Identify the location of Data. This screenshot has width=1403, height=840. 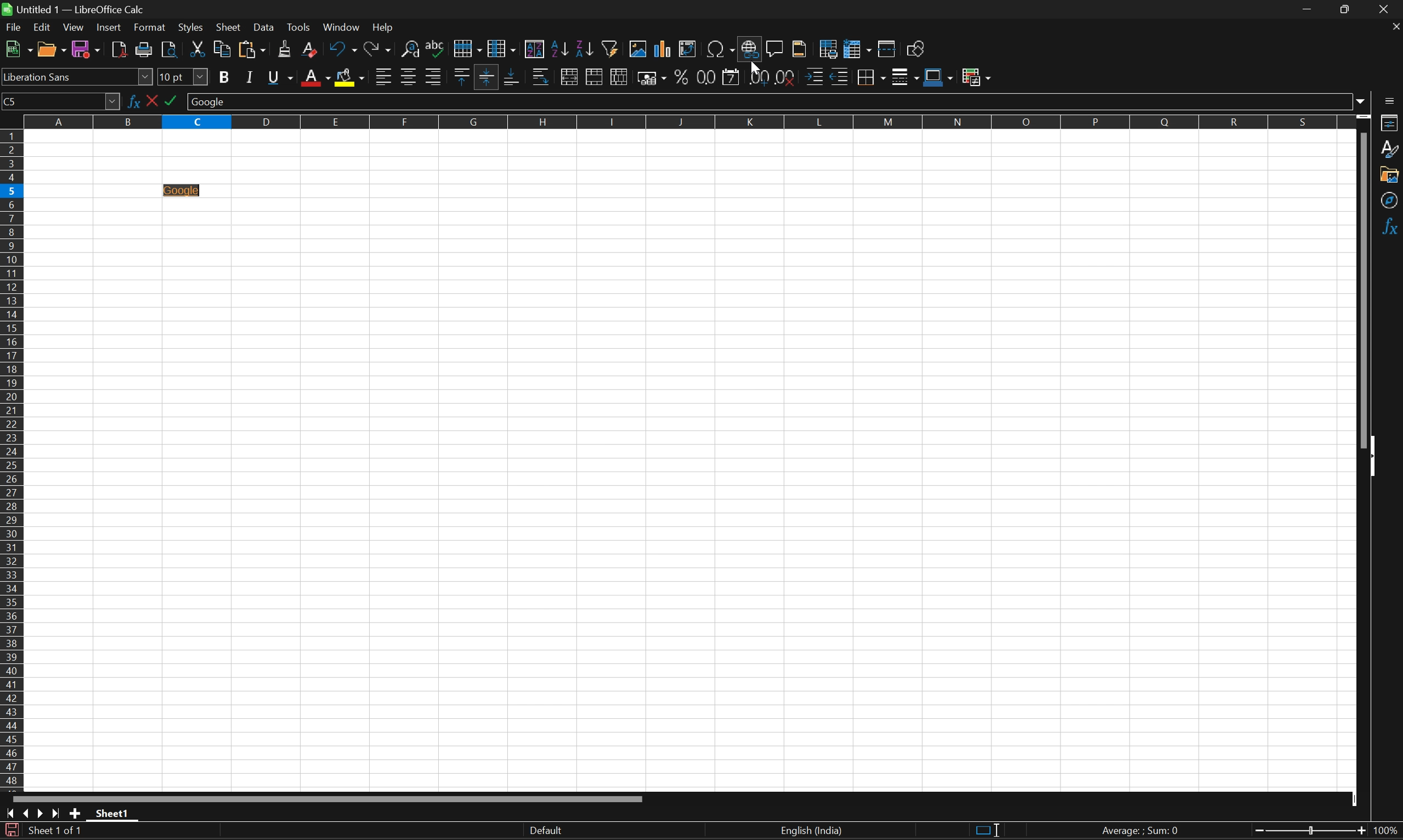
(266, 28).